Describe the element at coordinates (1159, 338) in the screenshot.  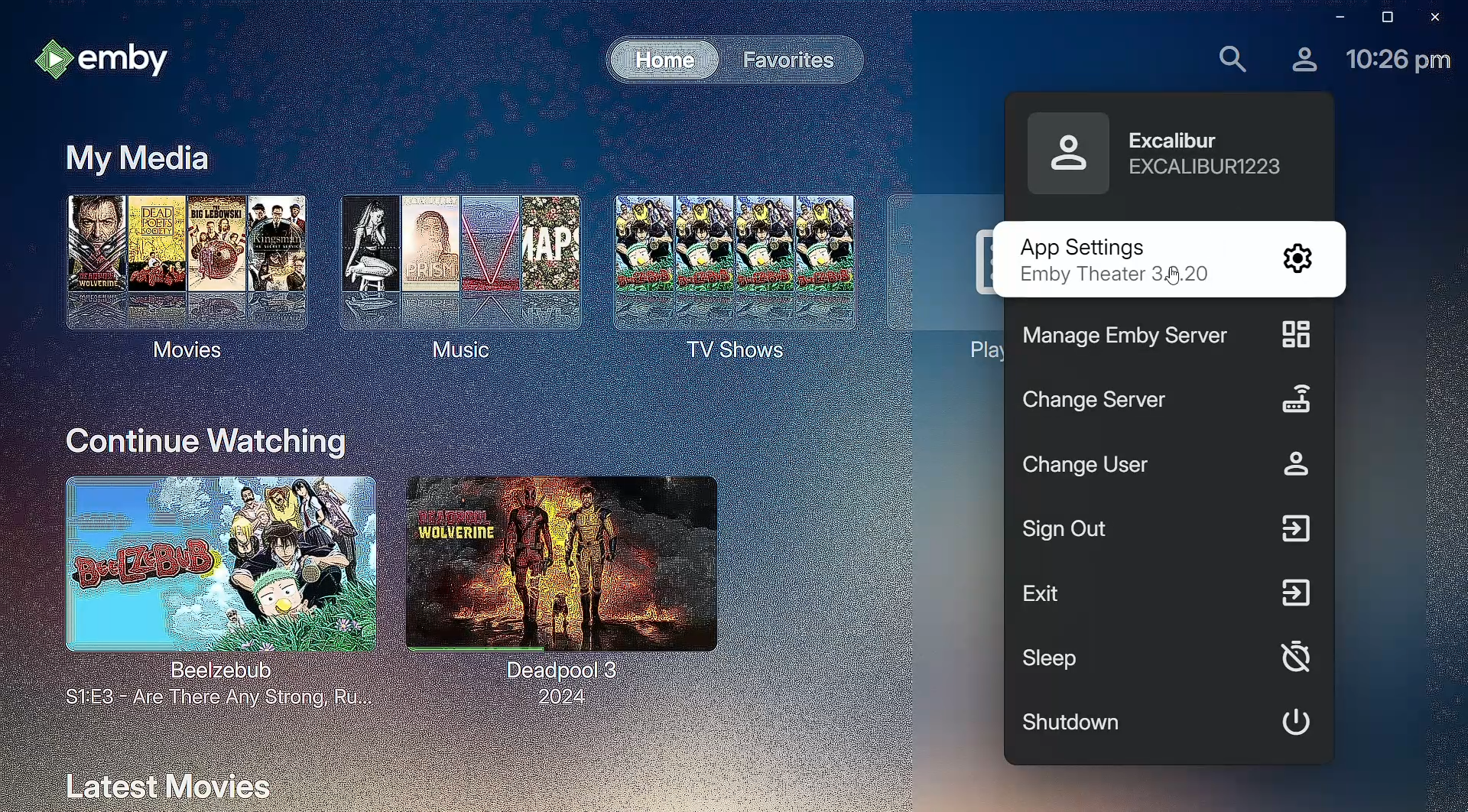
I see `Manage Emby Server` at that location.